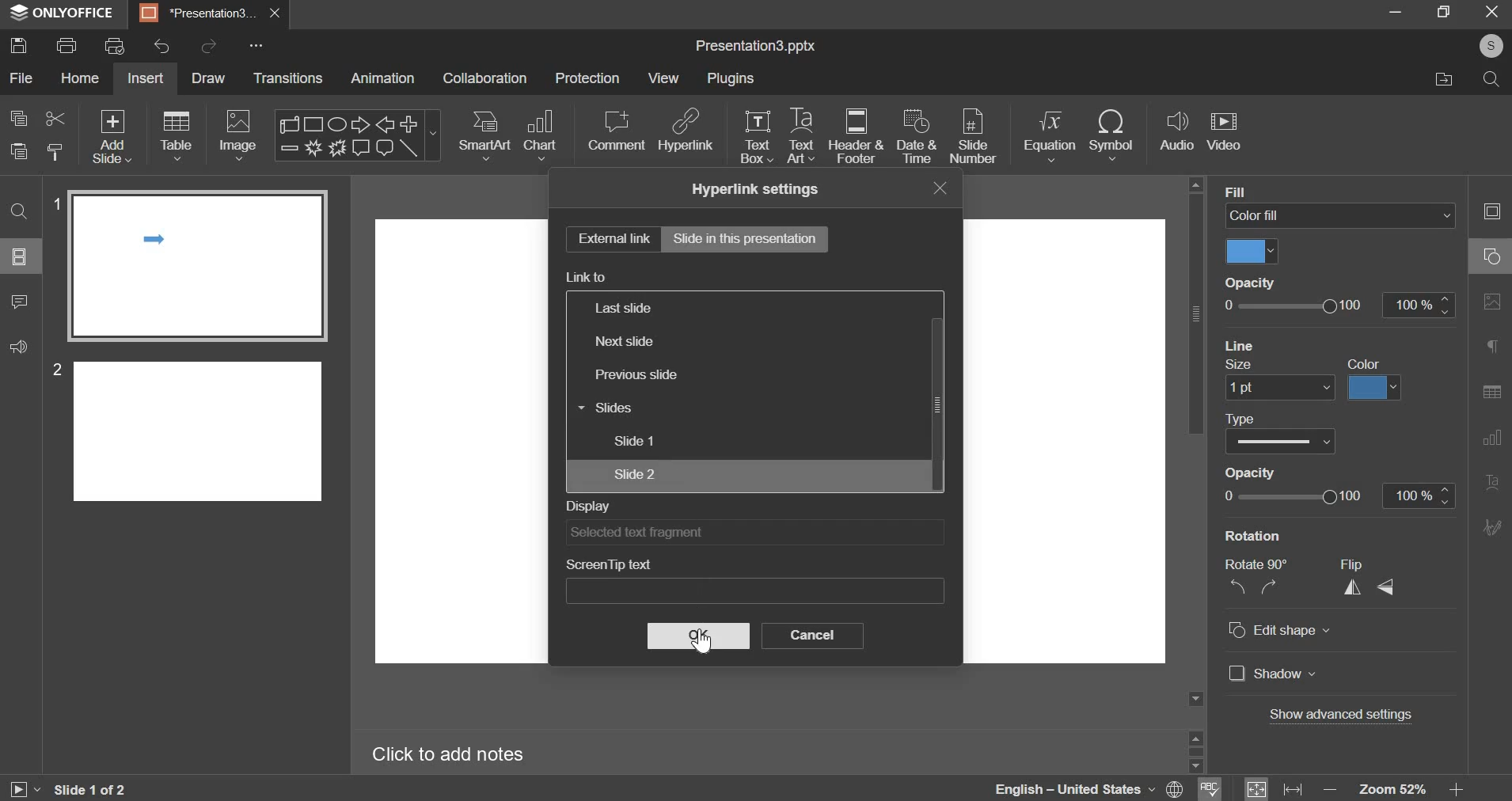 The height and width of the screenshot is (801, 1512). Describe the element at coordinates (1340, 214) in the screenshot. I see `color fill` at that location.